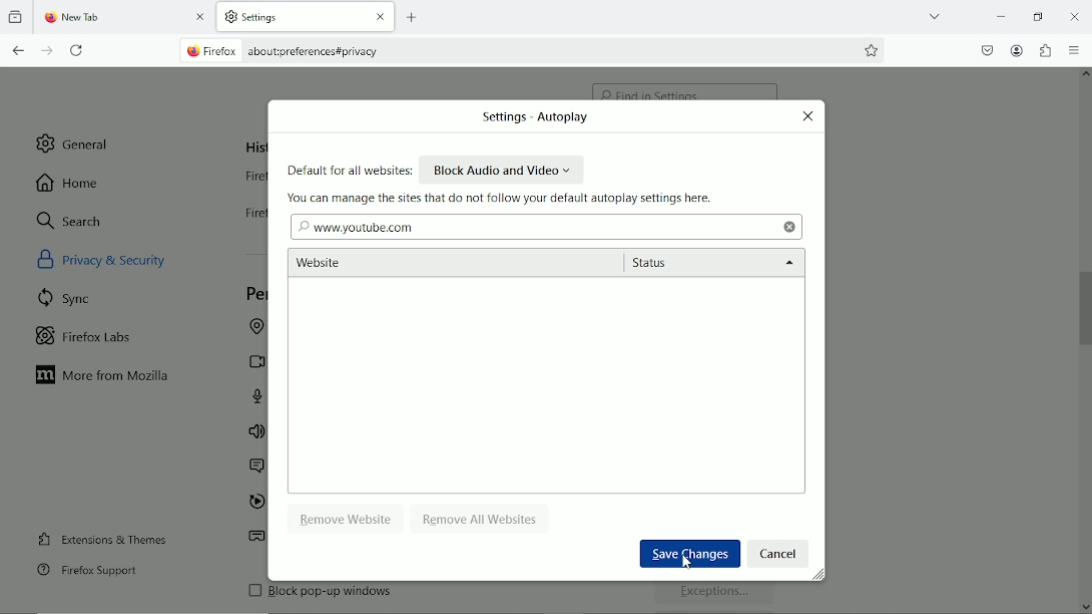 Image resolution: width=1092 pixels, height=614 pixels. Describe the element at coordinates (253, 361) in the screenshot. I see `camera` at that location.